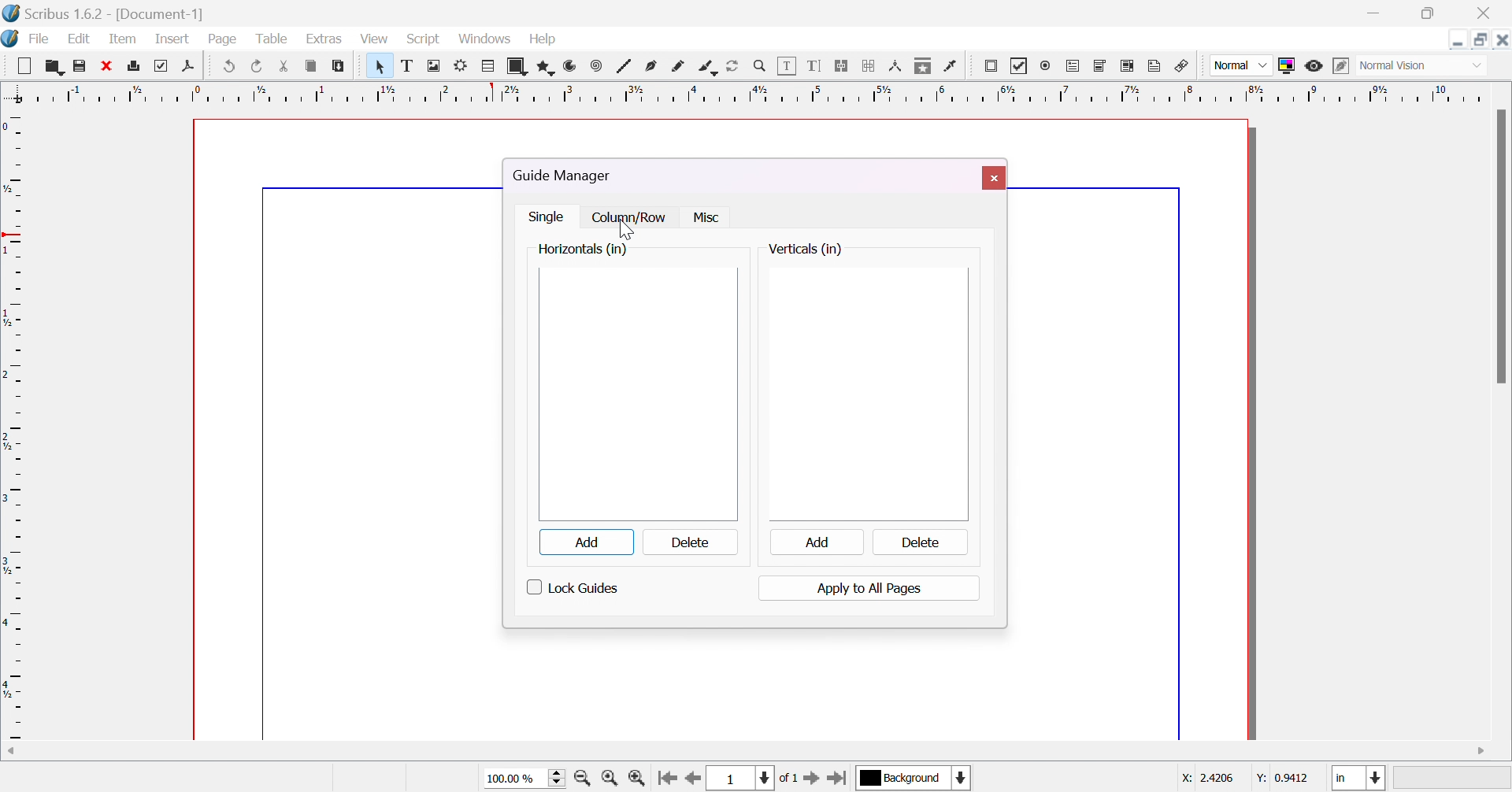 The height and width of the screenshot is (792, 1512). What do you see at coordinates (375, 65) in the screenshot?
I see `Pointer` at bounding box center [375, 65].